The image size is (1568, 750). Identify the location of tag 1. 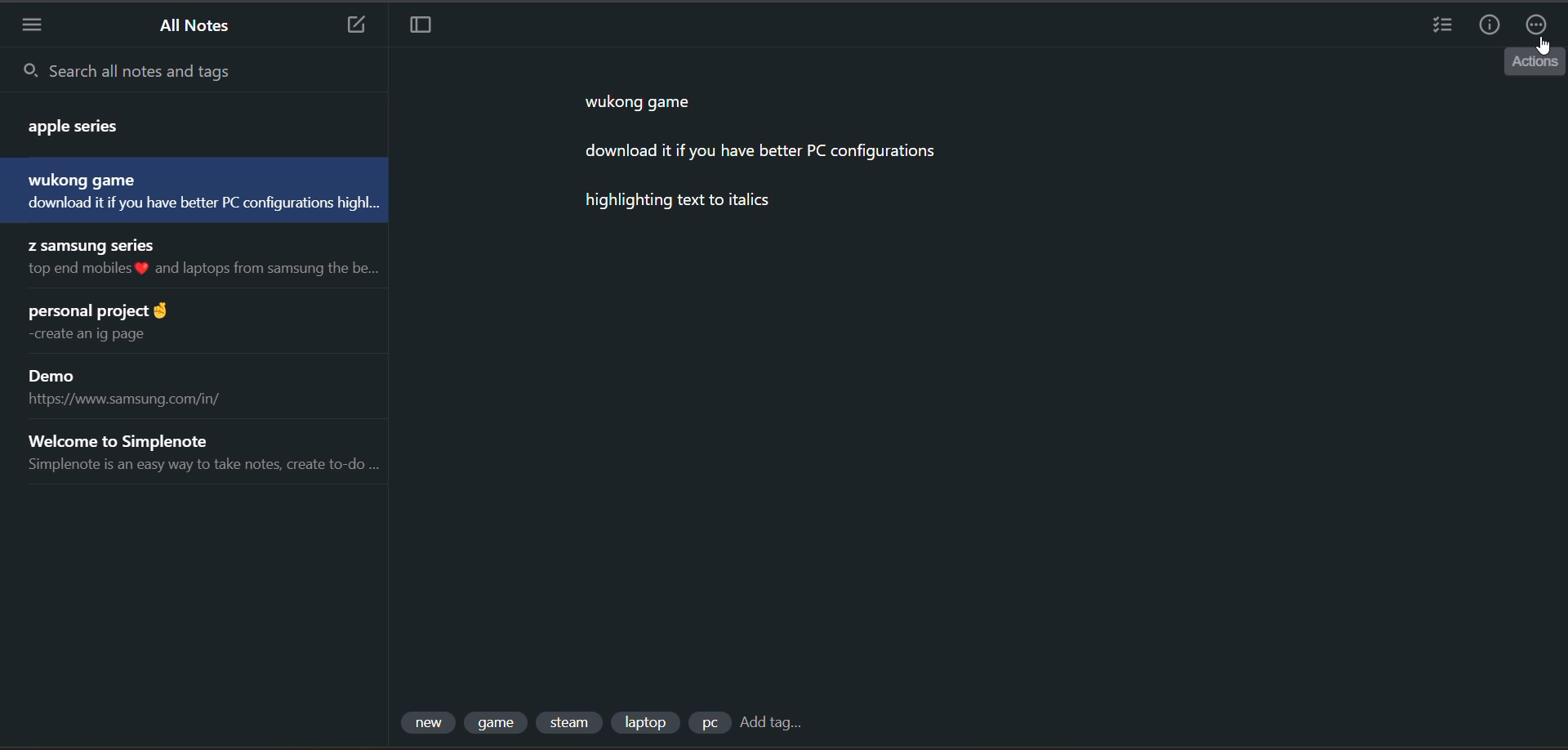
(430, 723).